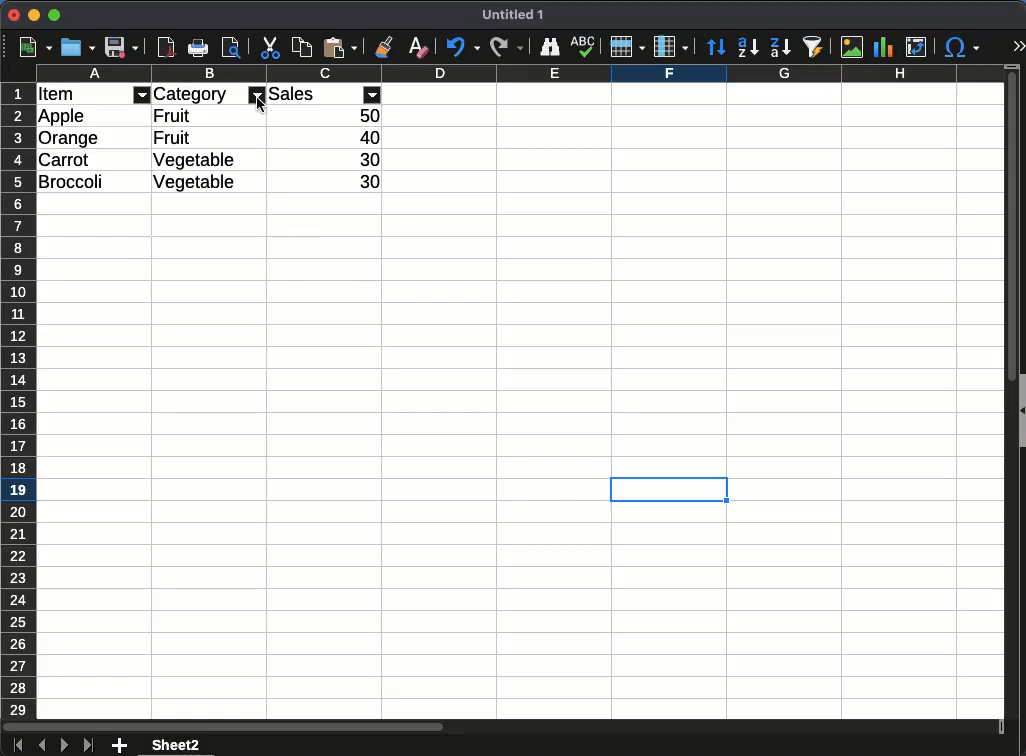 This screenshot has height=756, width=1026. I want to click on close, so click(13, 15).